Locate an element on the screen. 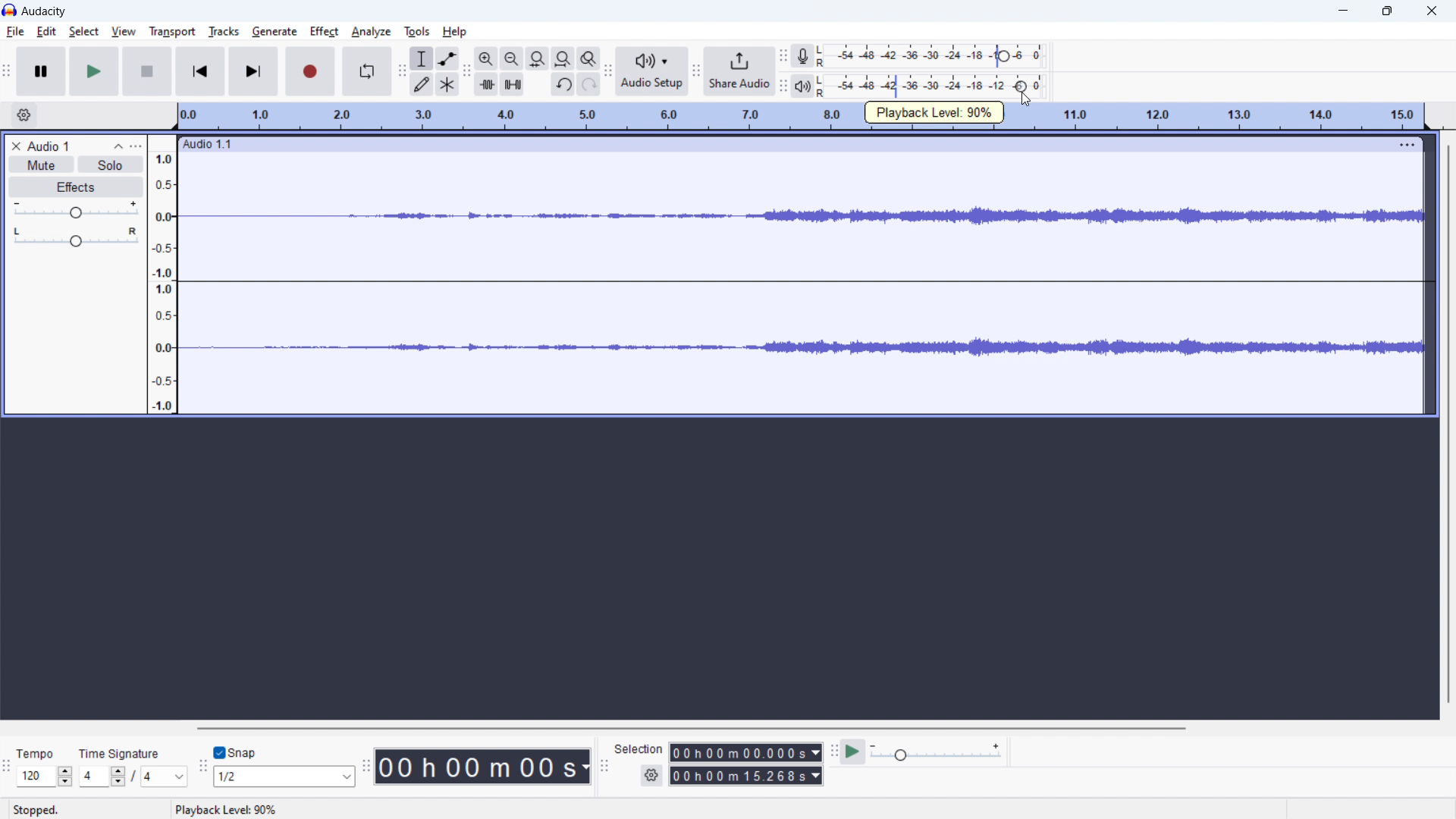  help is located at coordinates (454, 32).